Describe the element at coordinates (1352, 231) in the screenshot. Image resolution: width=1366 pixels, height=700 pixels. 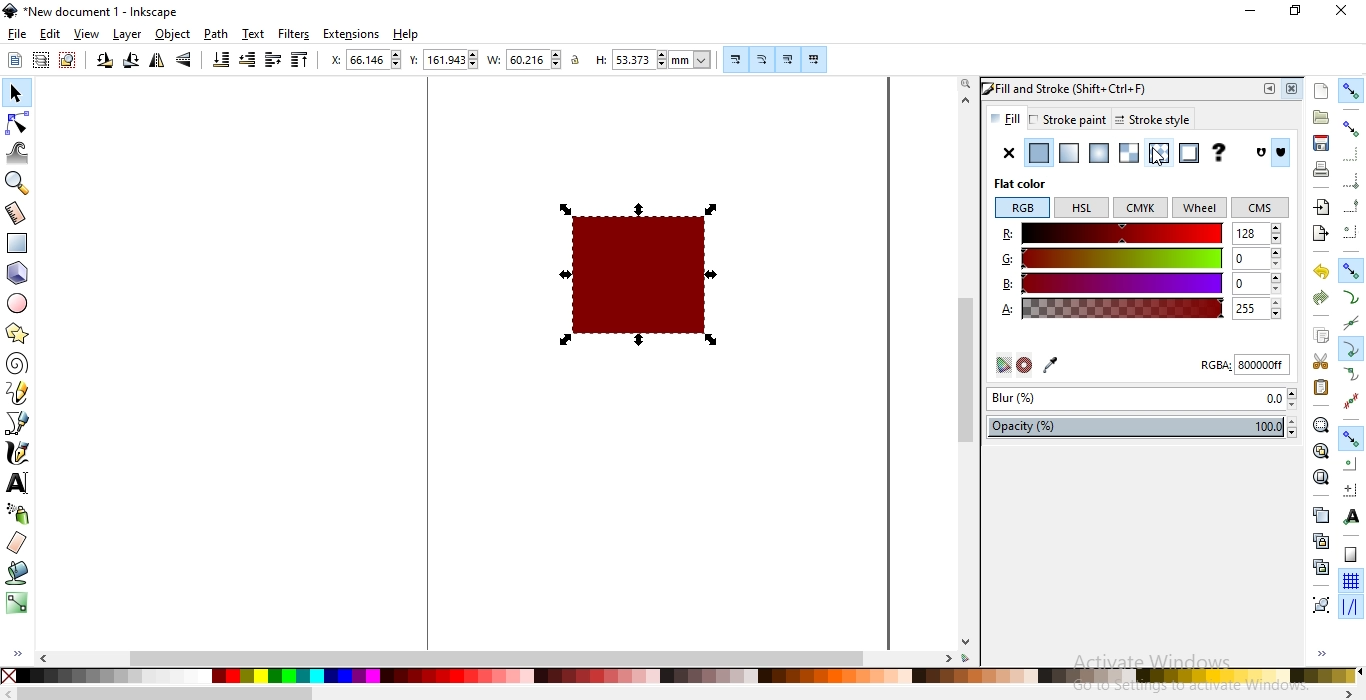
I see `snap centers of bounding boxes` at that location.